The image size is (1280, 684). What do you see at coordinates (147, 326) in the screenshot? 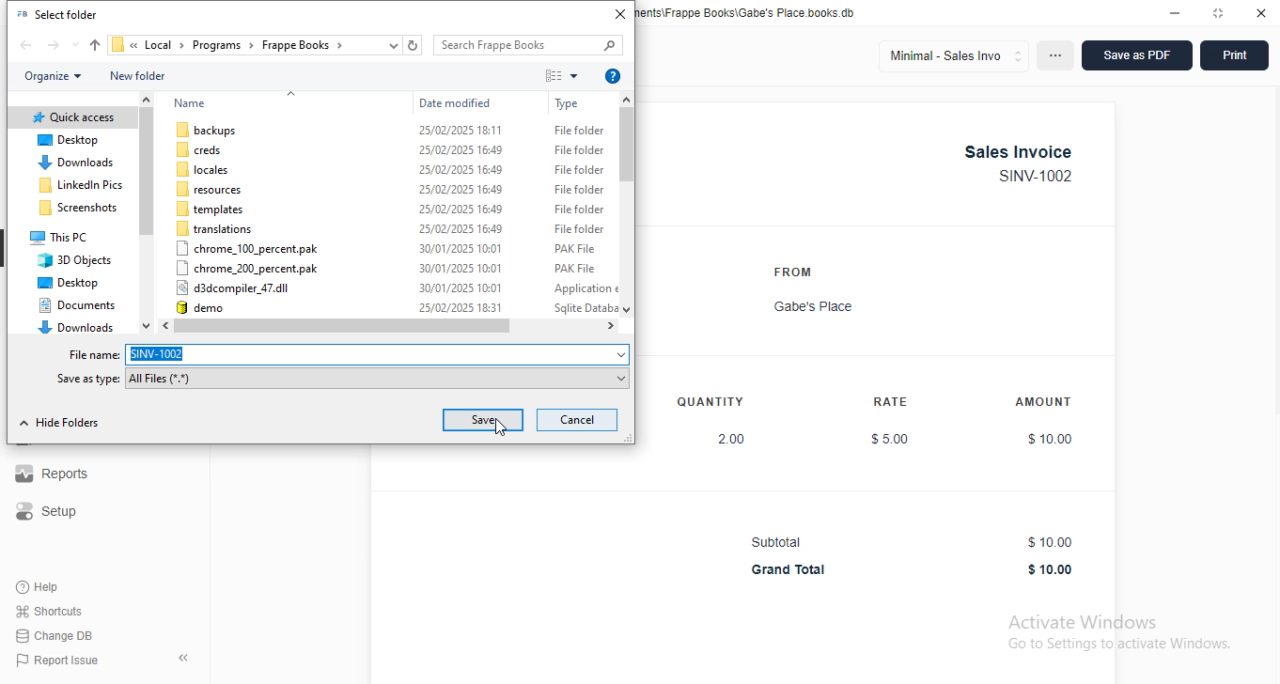
I see `scroll down` at bounding box center [147, 326].